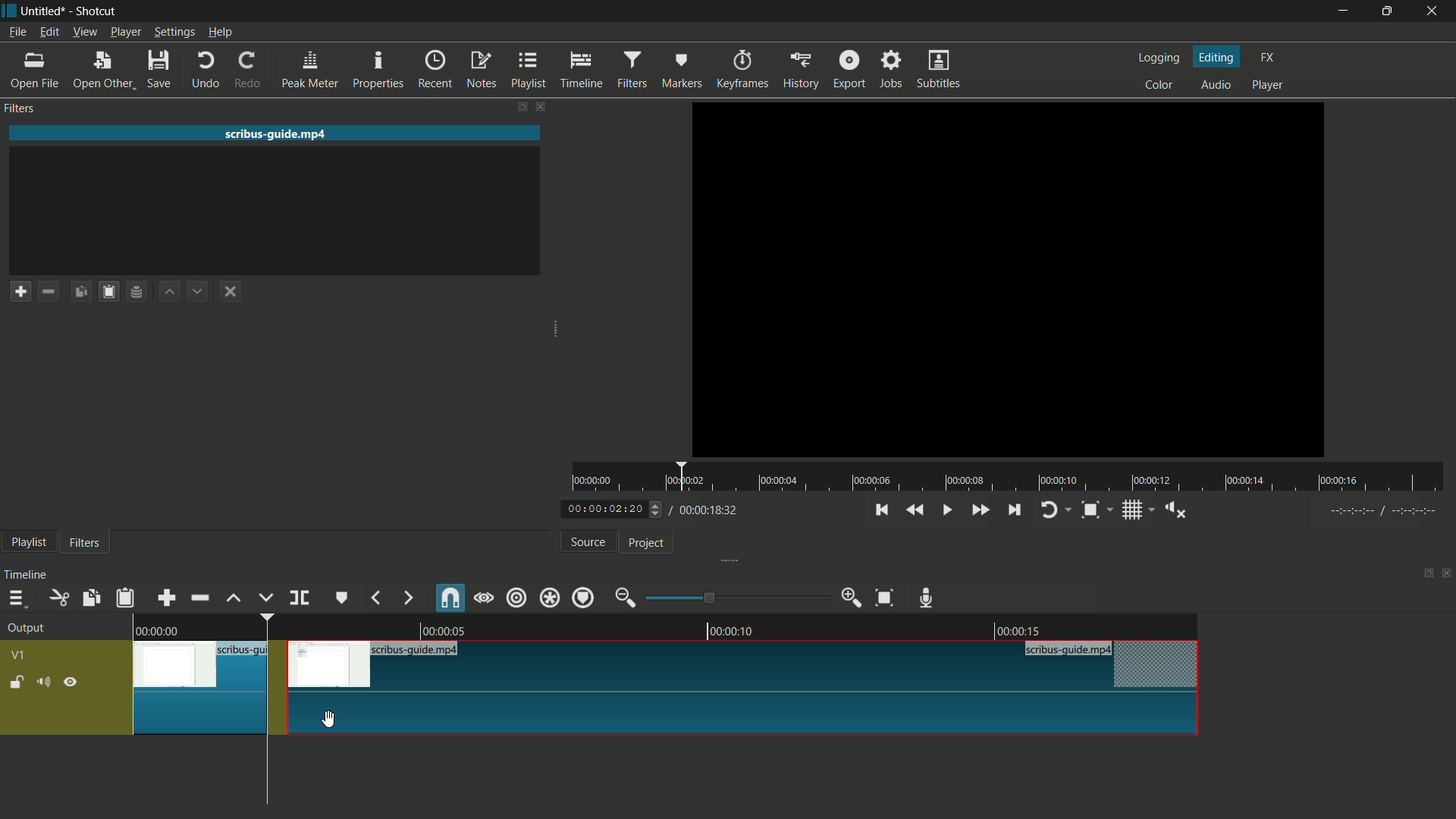 The image size is (1456, 819). Describe the element at coordinates (539, 105) in the screenshot. I see `close filters` at that location.